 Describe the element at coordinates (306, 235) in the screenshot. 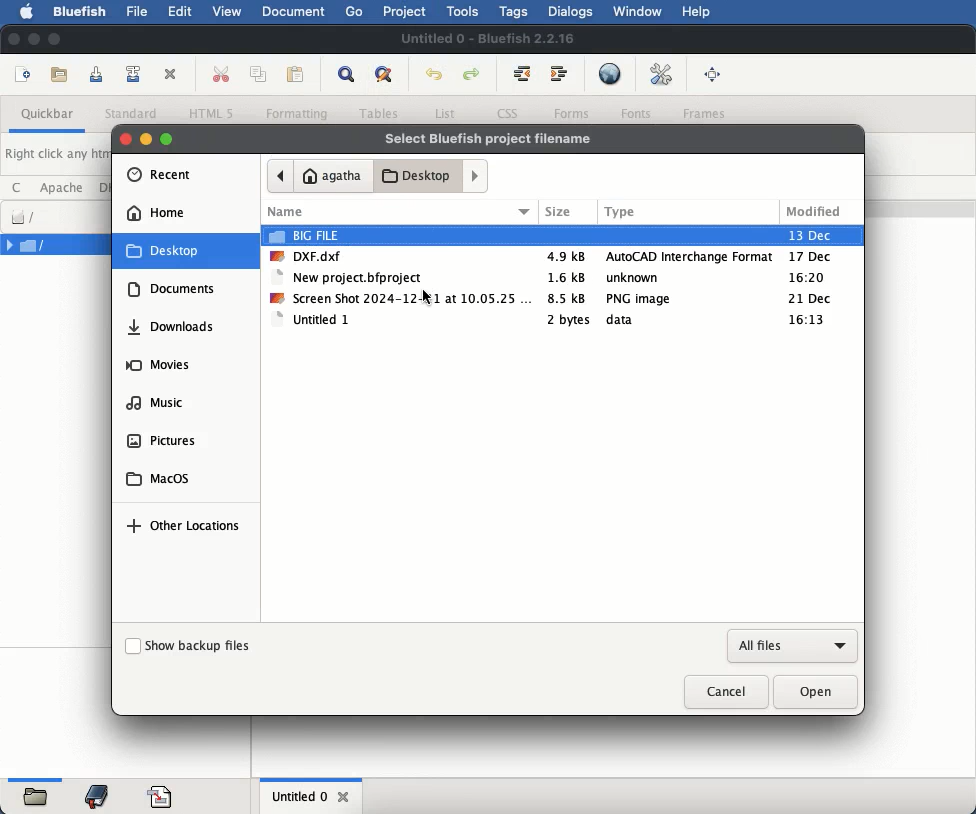

I see `big file` at that location.